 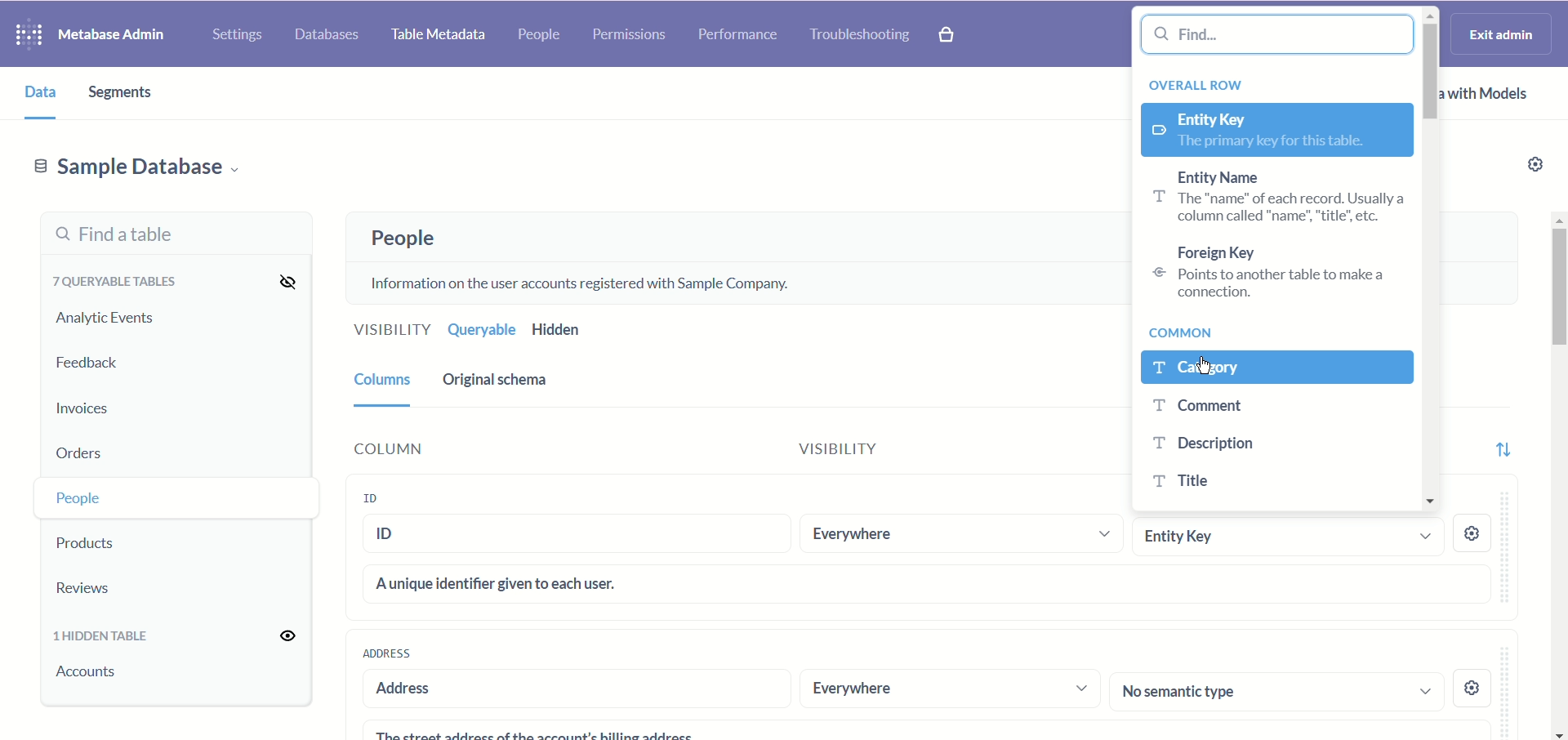 I want to click on People, so click(x=117, y=496).